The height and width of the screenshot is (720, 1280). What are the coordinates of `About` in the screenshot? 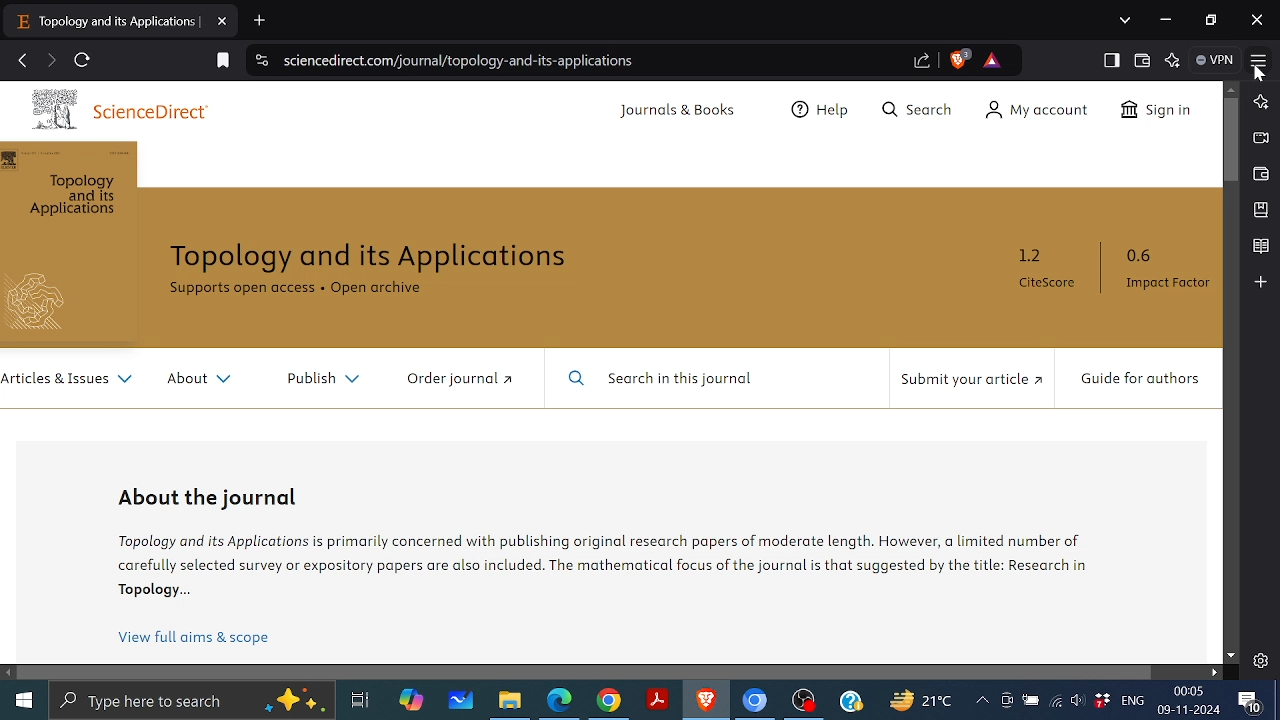 It's located at (201, 379).